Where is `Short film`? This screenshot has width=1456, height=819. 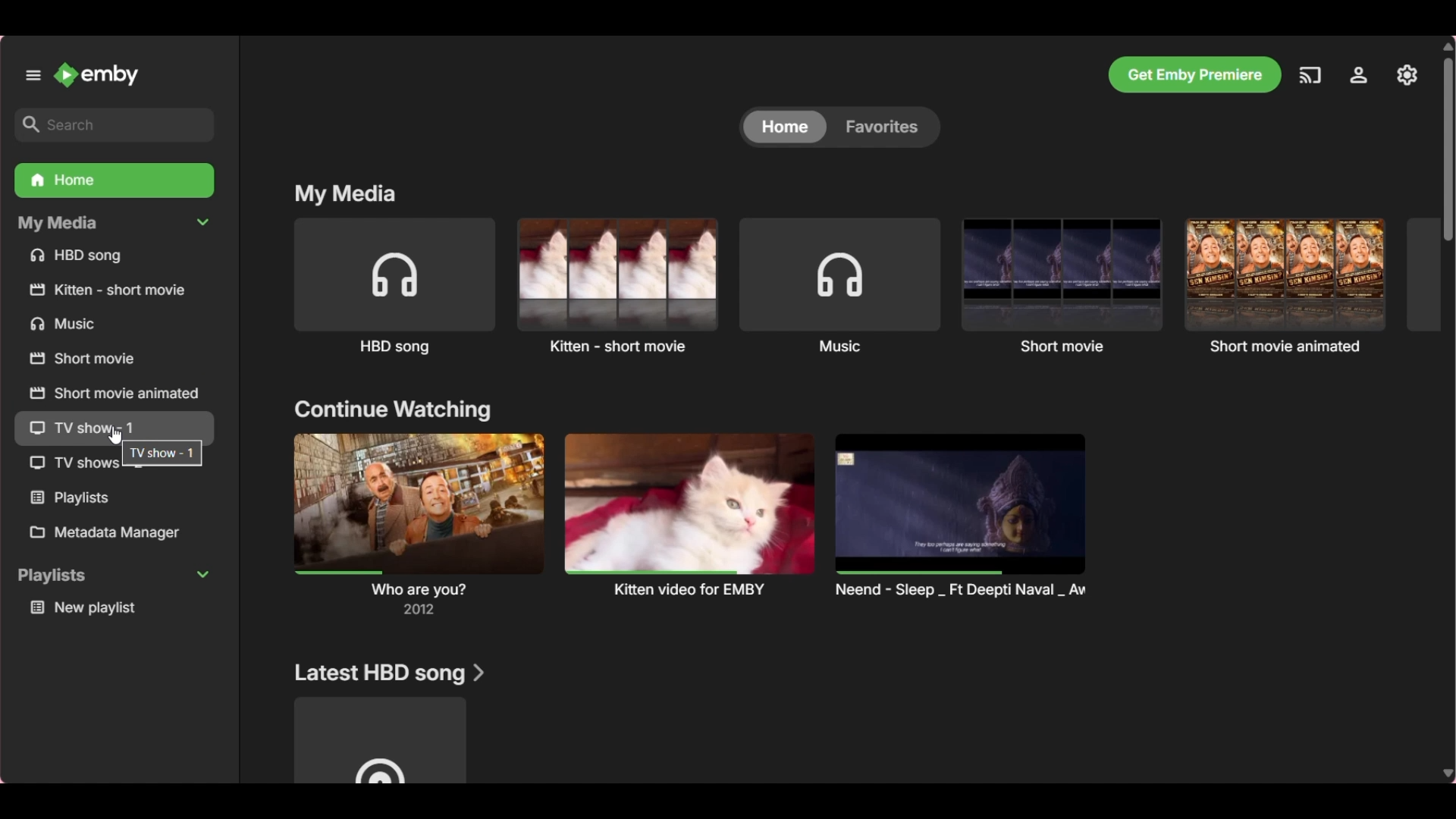 Short film is located at coordinates (617, 286).